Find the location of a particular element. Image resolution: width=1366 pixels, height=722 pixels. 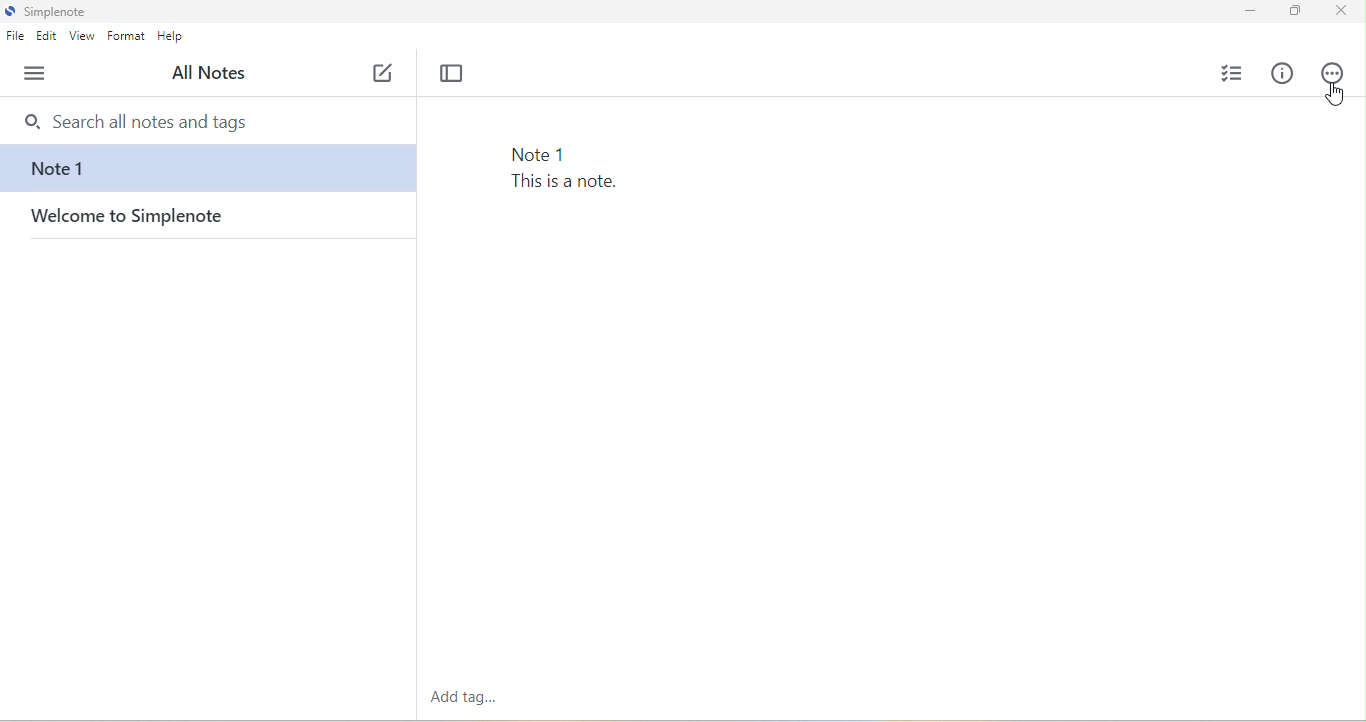

all notes is located at coordinates (211, 74).